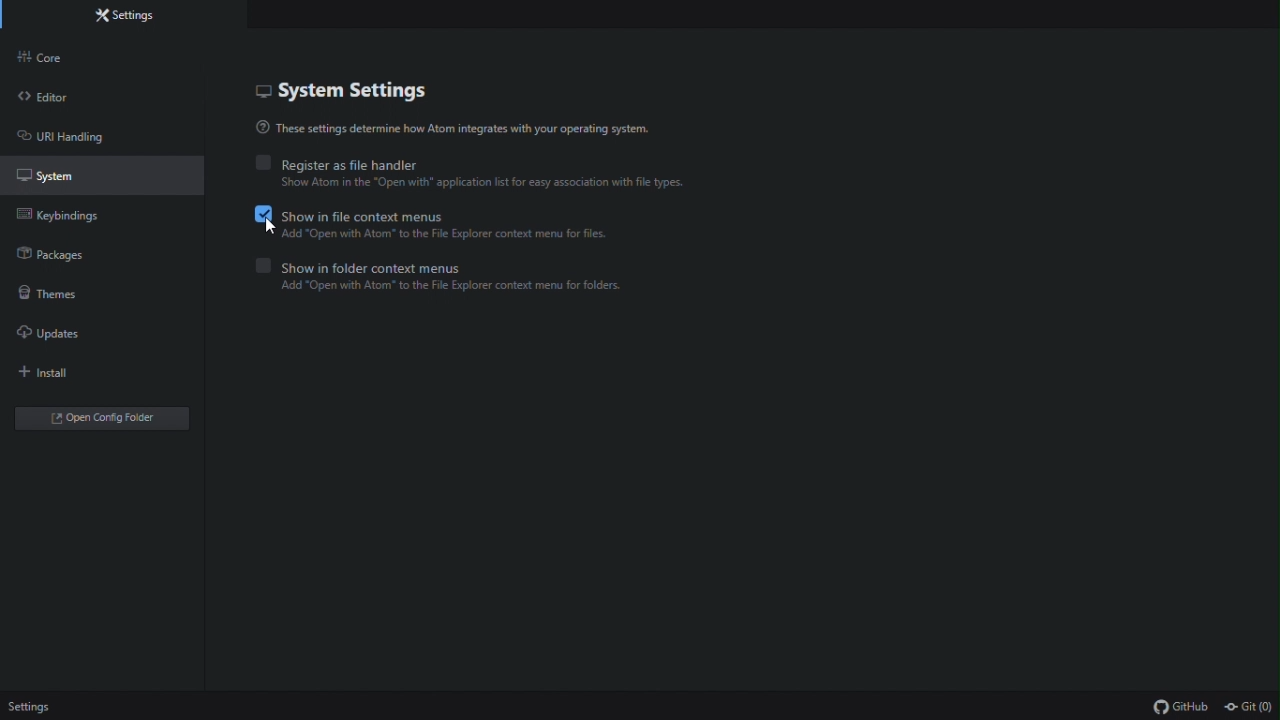 The image size is (1280, 720). I want to click on Settings, so click(135, 15).